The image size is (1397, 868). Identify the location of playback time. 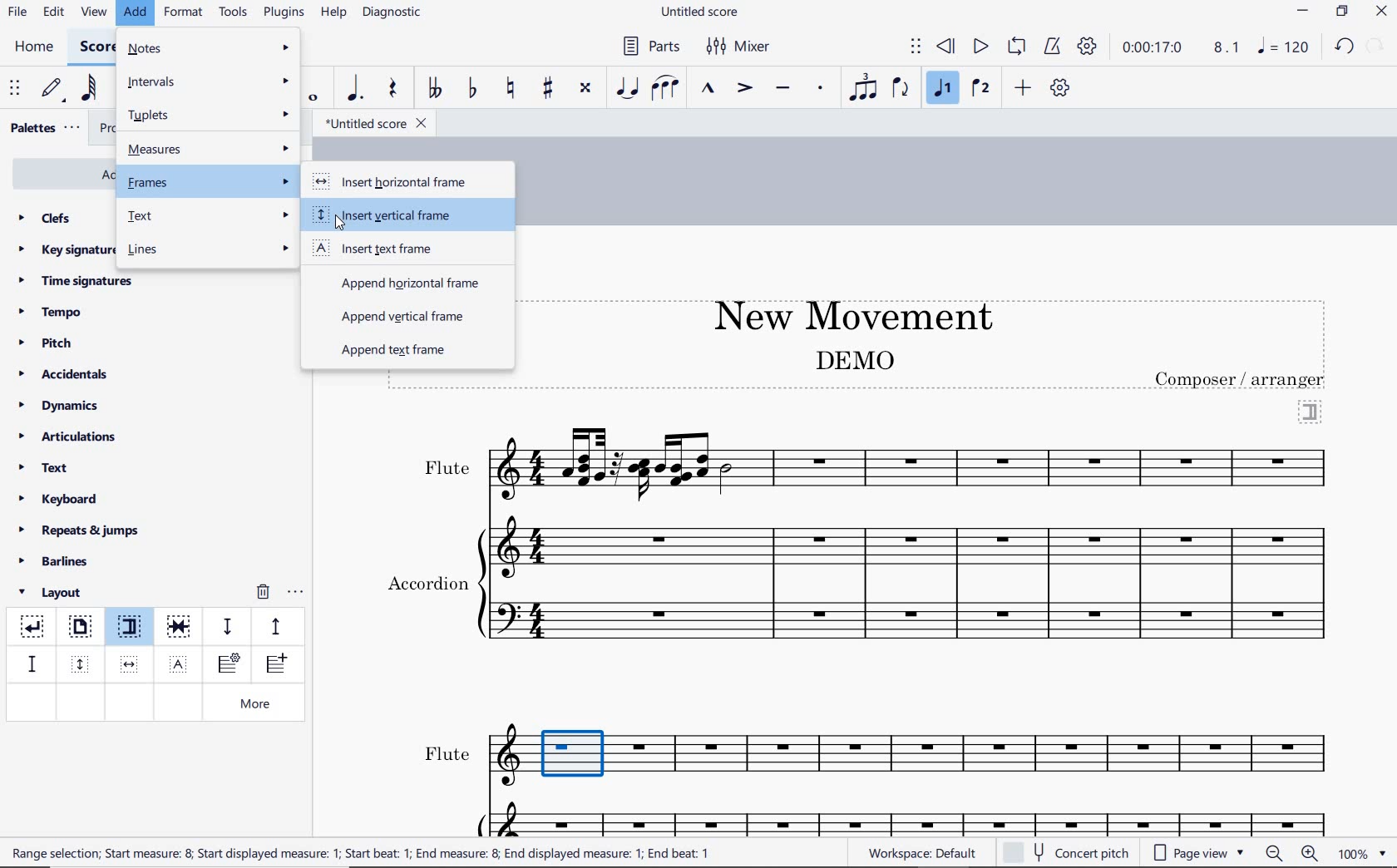
(1153, 47).